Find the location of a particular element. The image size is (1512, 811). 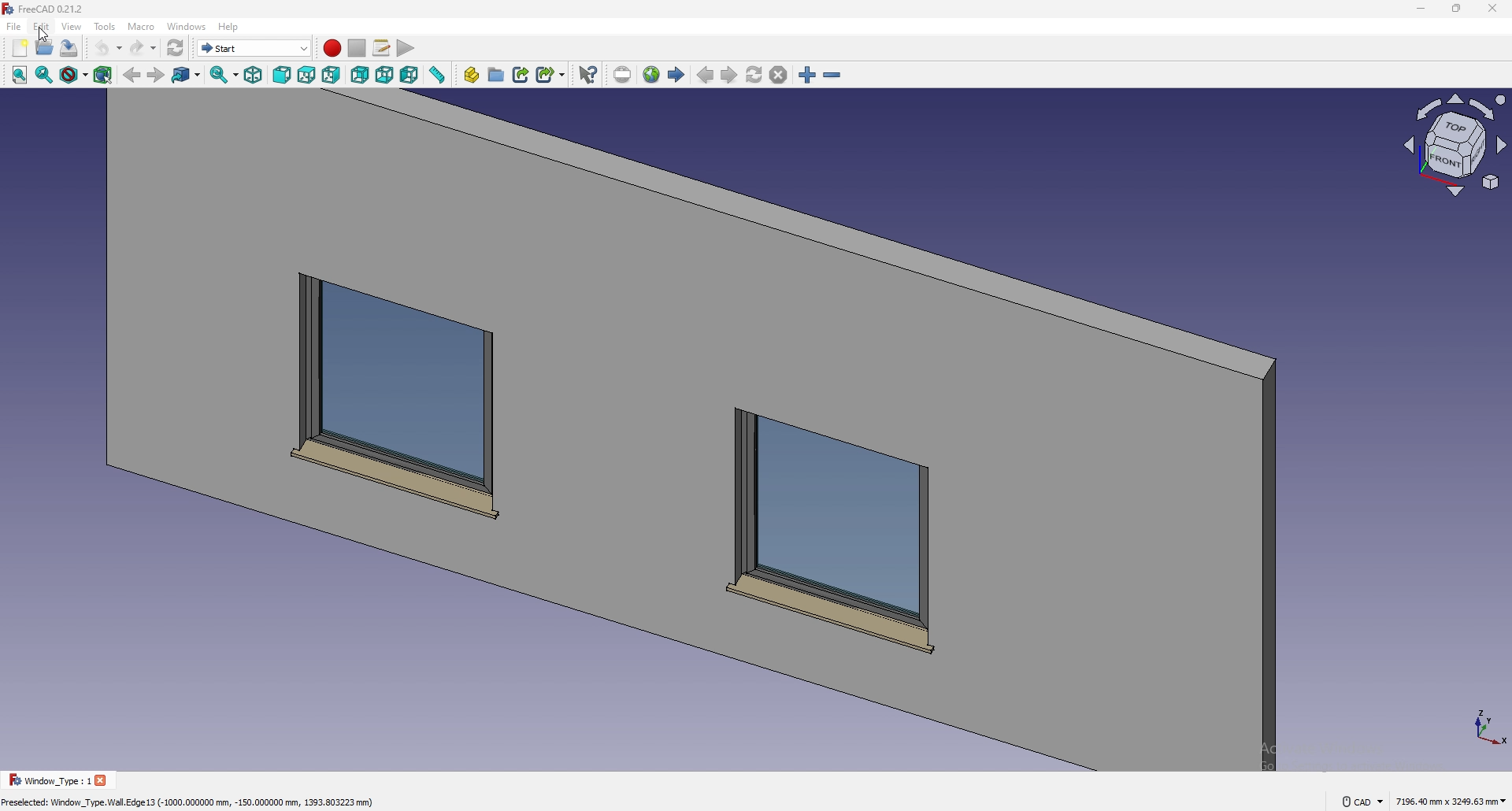

stop recording macros is located at coordinates (357, 48).